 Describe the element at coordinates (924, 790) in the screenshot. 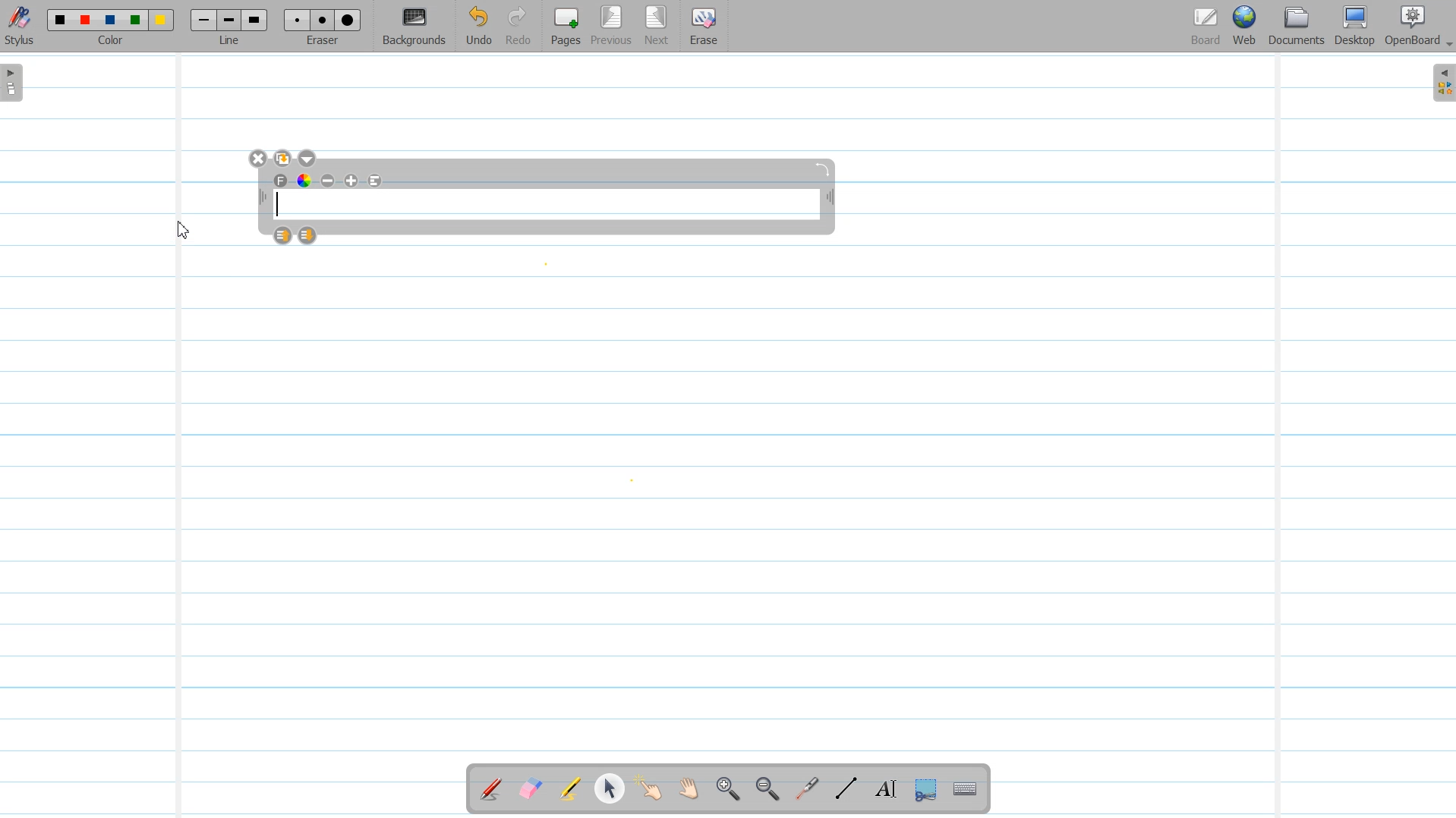

I see `Capture part of the screen` at that location.